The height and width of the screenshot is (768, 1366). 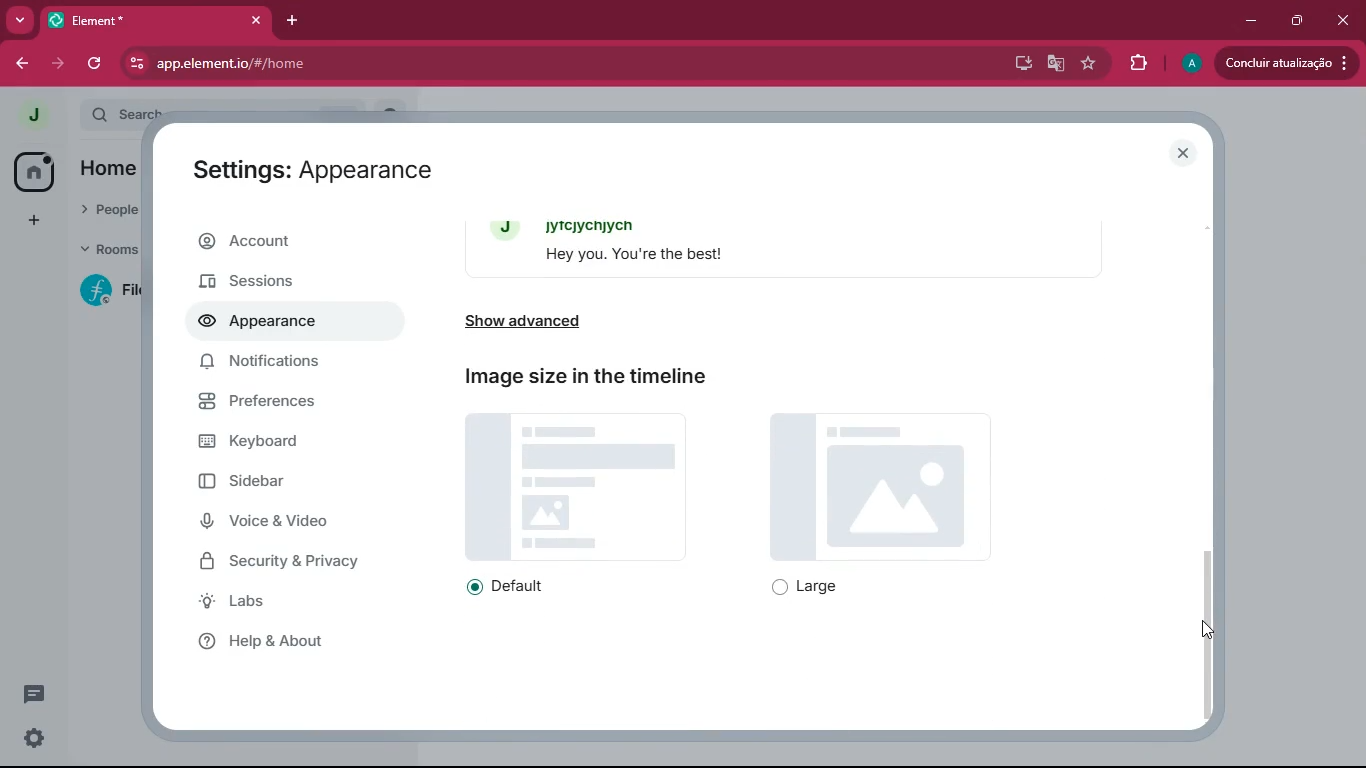 I want to click on close, so click(x=1186, y=154).